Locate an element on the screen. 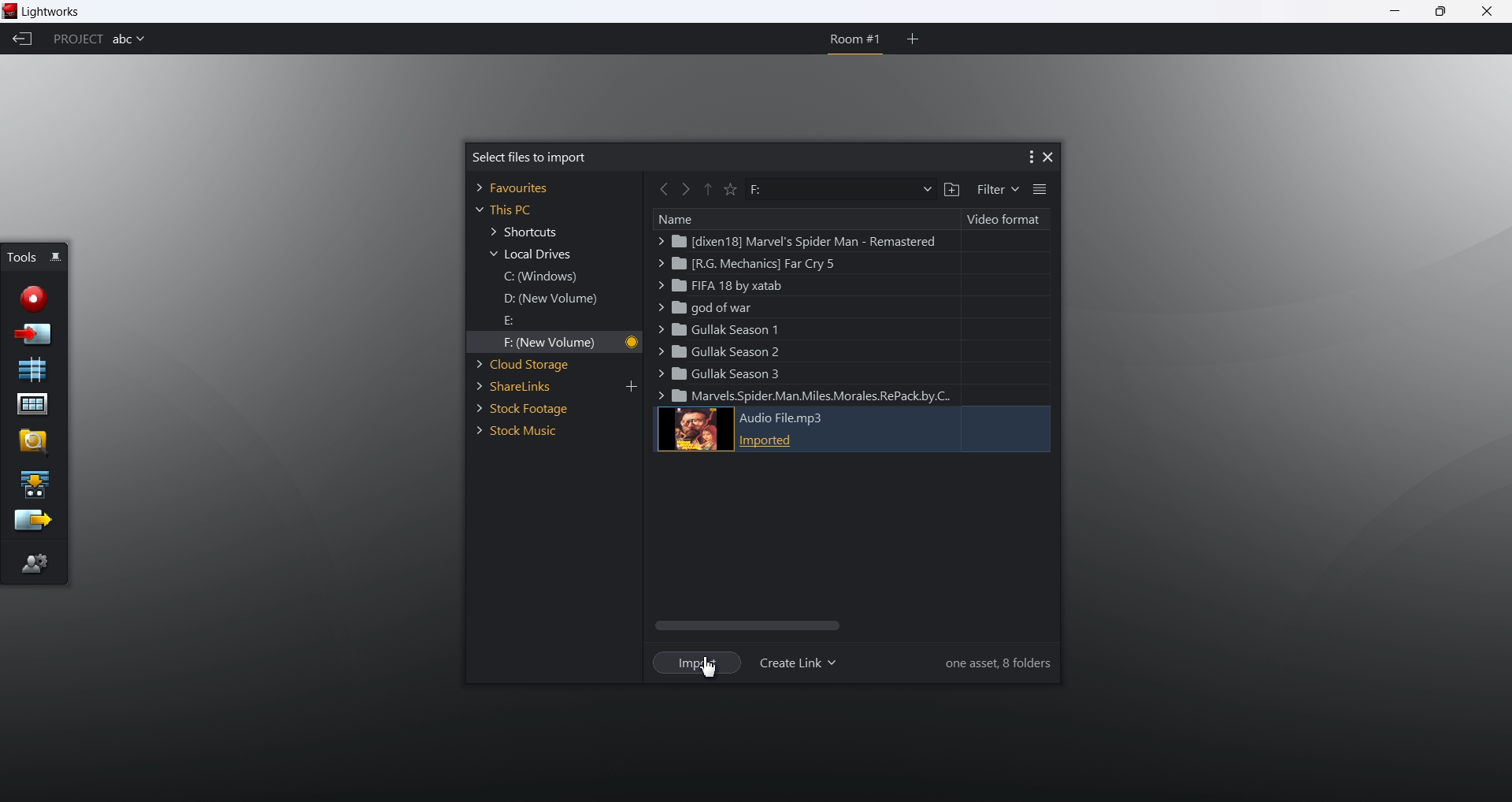 The image size is (1512, 802). add room is located at coordinates (913, 39).